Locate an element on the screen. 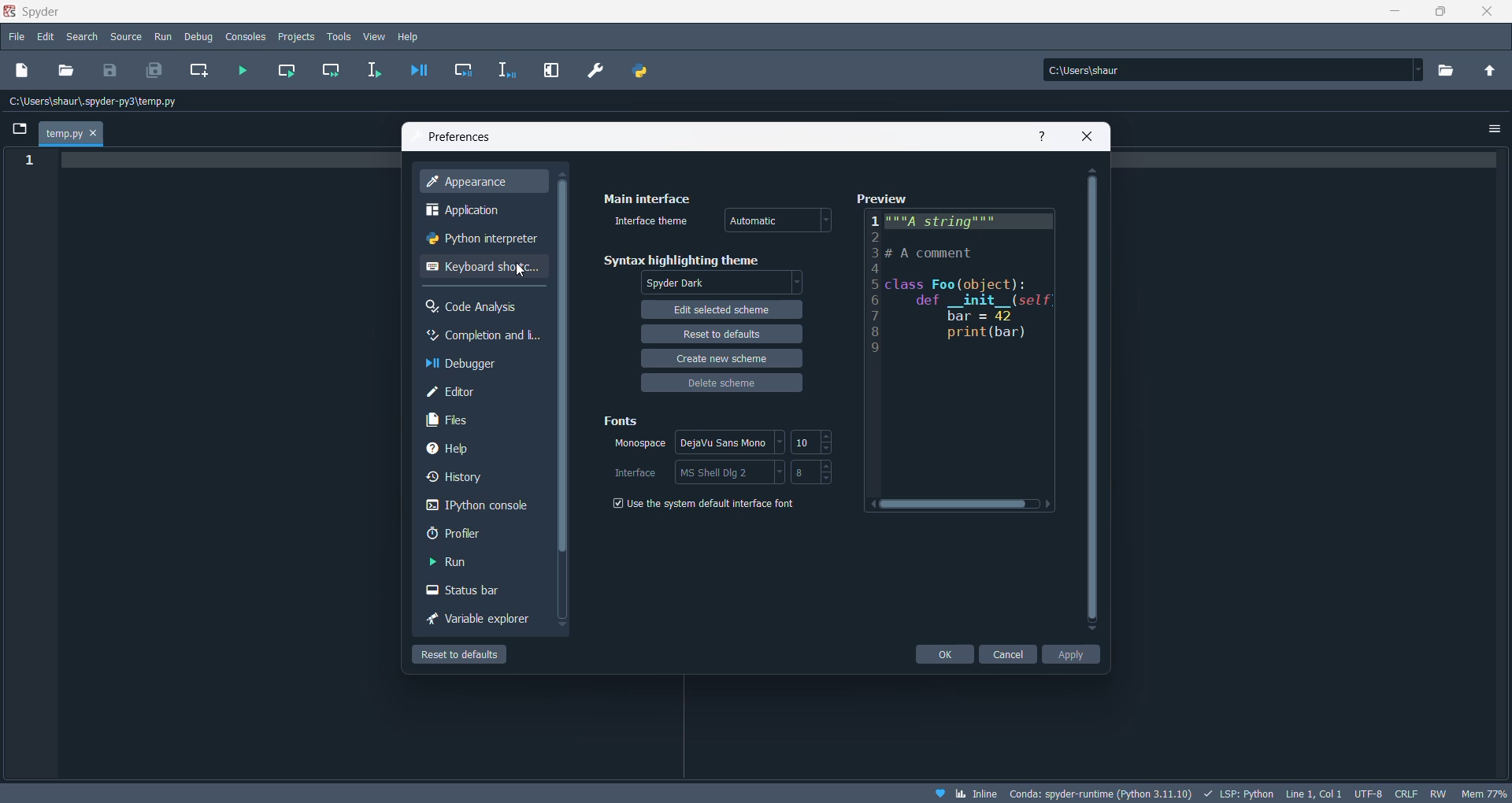 This screenshot has height=803, width=1512. debug cell is located at coordinates (465, 70).